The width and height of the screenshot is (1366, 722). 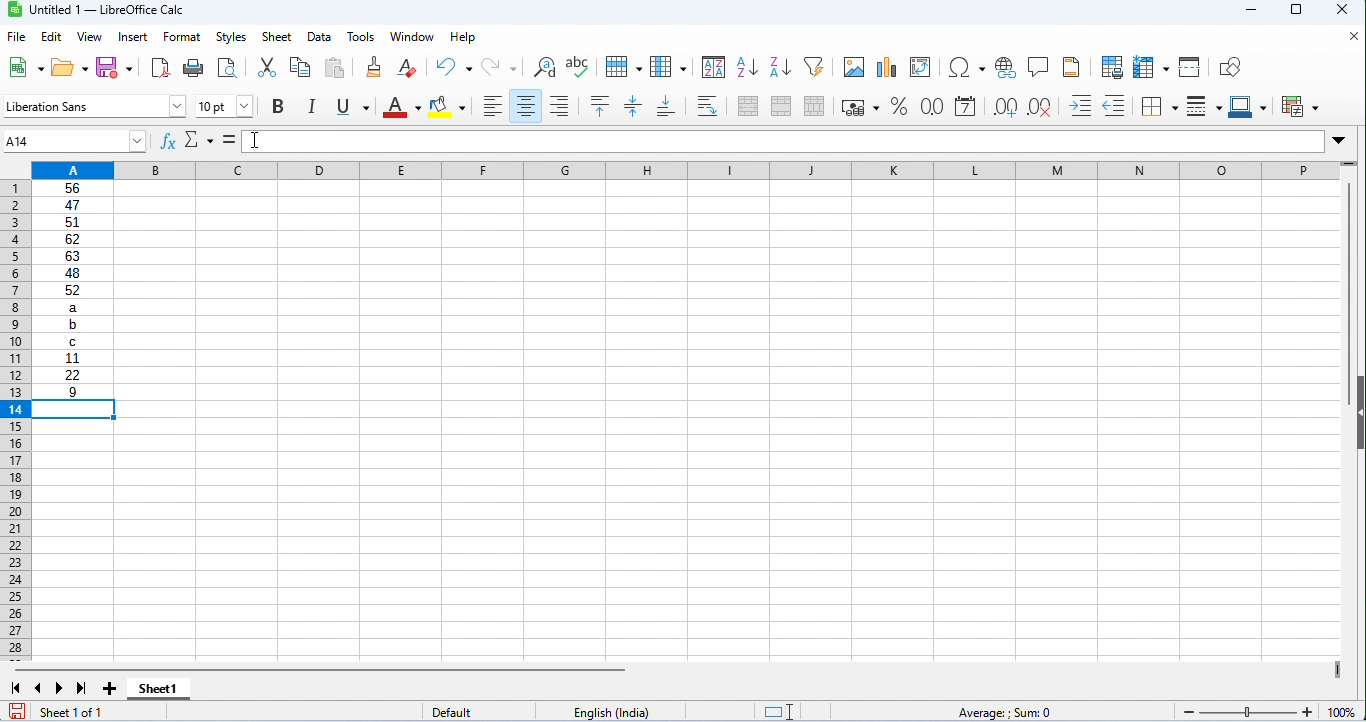 What do you see at coordinates (560, 105) in the screenshot?
I see `align right` at bounding box center [560, 105].